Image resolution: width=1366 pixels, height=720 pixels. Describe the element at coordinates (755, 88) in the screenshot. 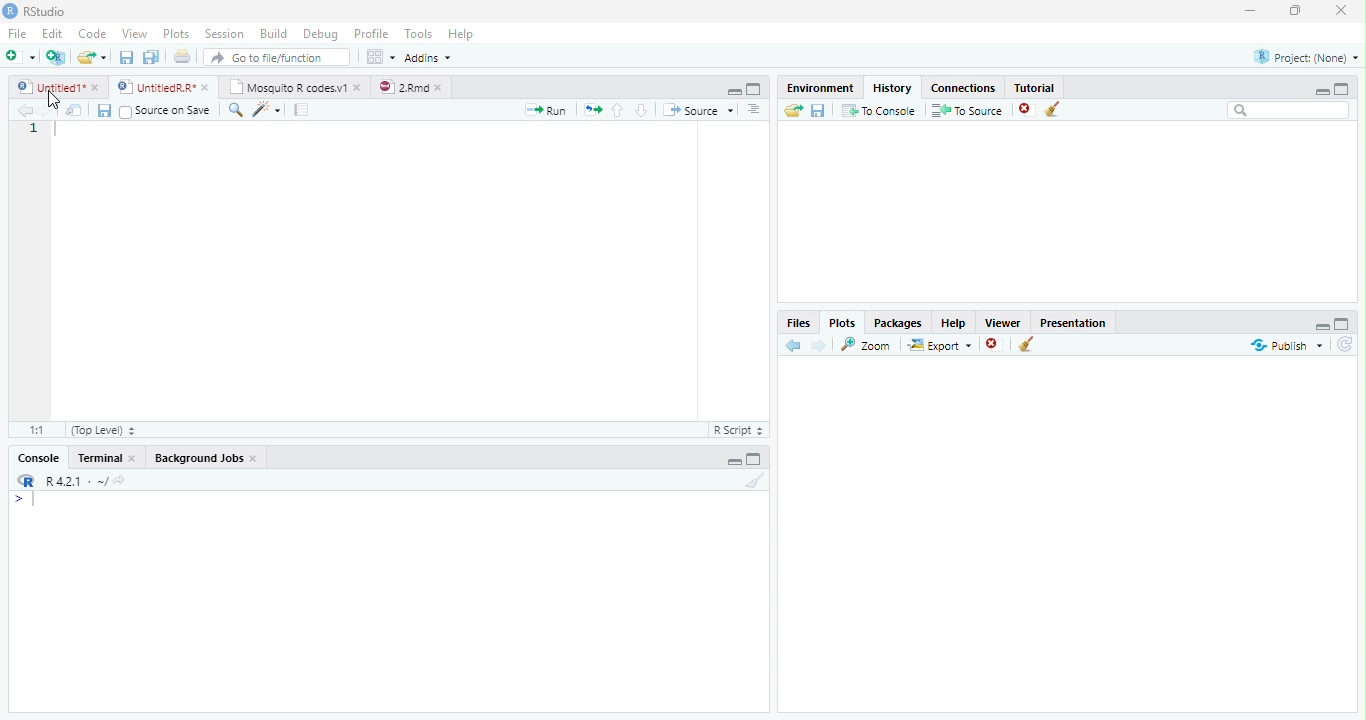

I see `Full Screen` at that location.